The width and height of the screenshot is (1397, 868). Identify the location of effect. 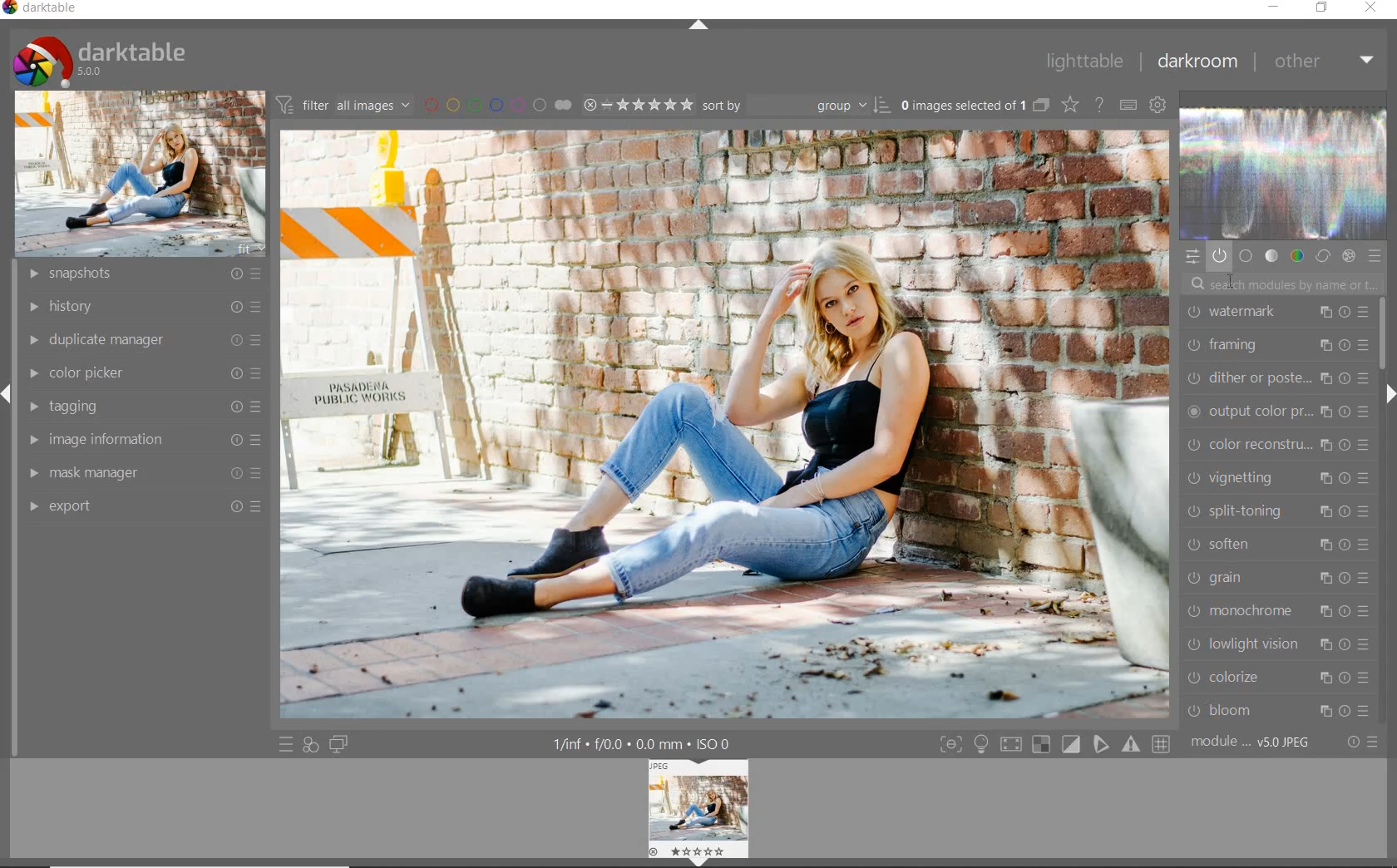
(1350, 254).